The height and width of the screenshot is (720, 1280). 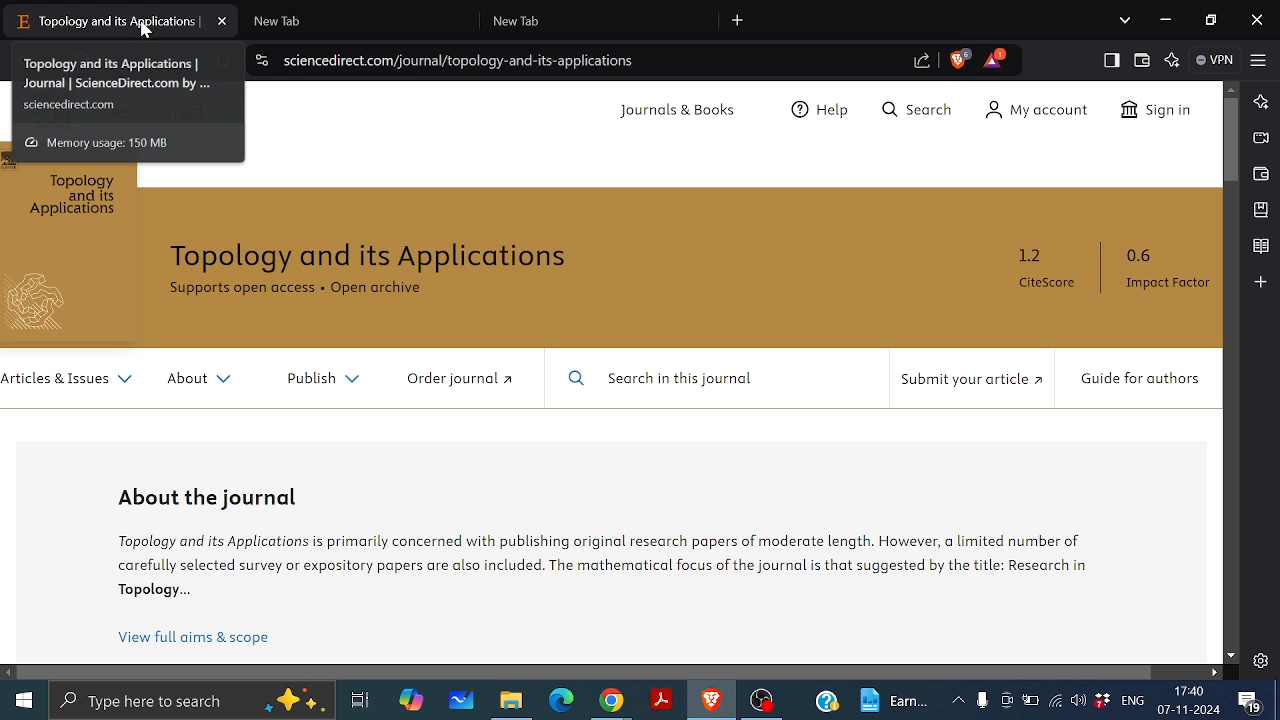 What do you see at coordinates (762, 702) in the screenshot?
I see `OBS studio` at bounding box center [762, 702].